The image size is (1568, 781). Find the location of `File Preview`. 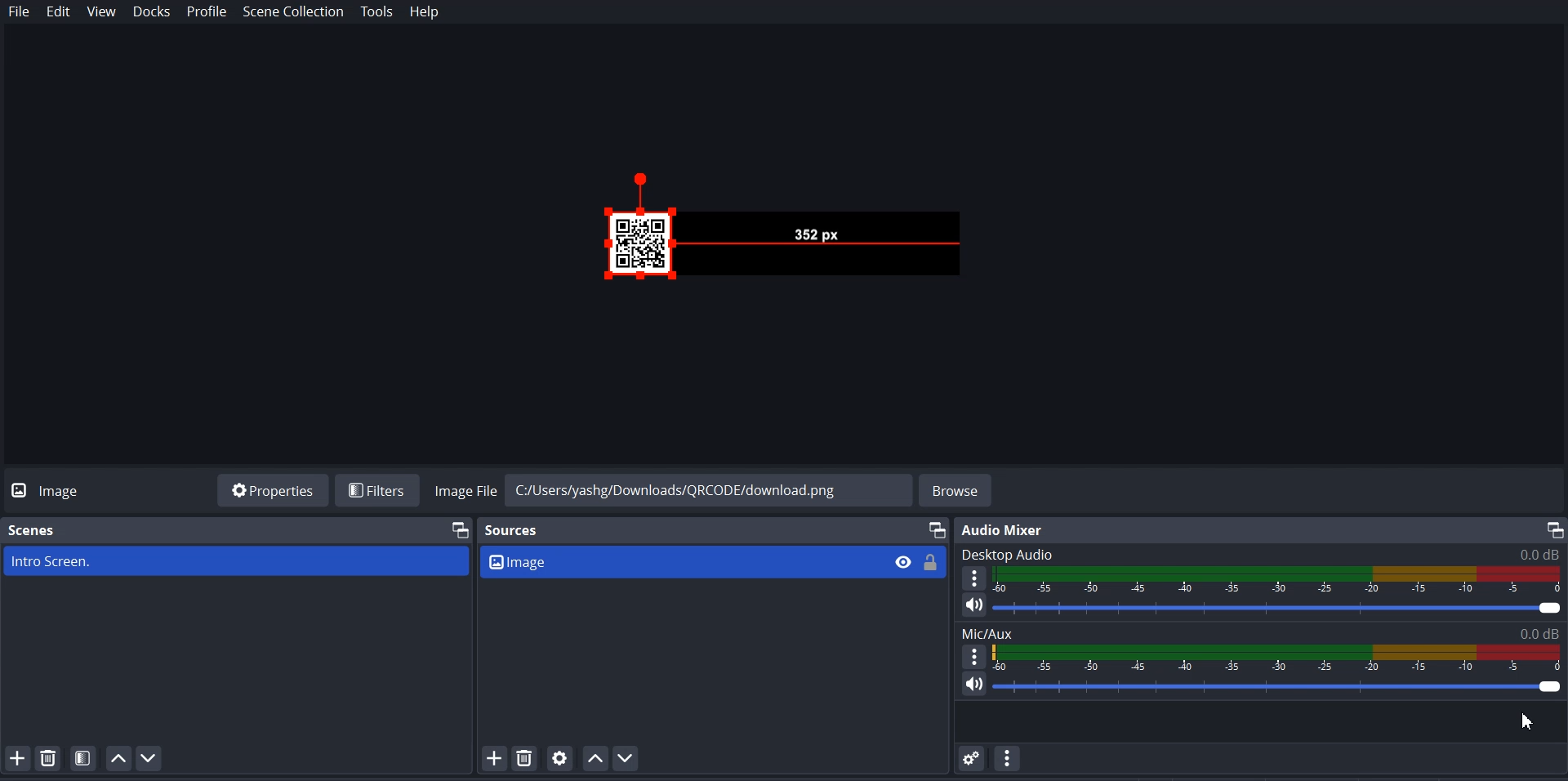

File Preview is located at coordinates (817, 234).